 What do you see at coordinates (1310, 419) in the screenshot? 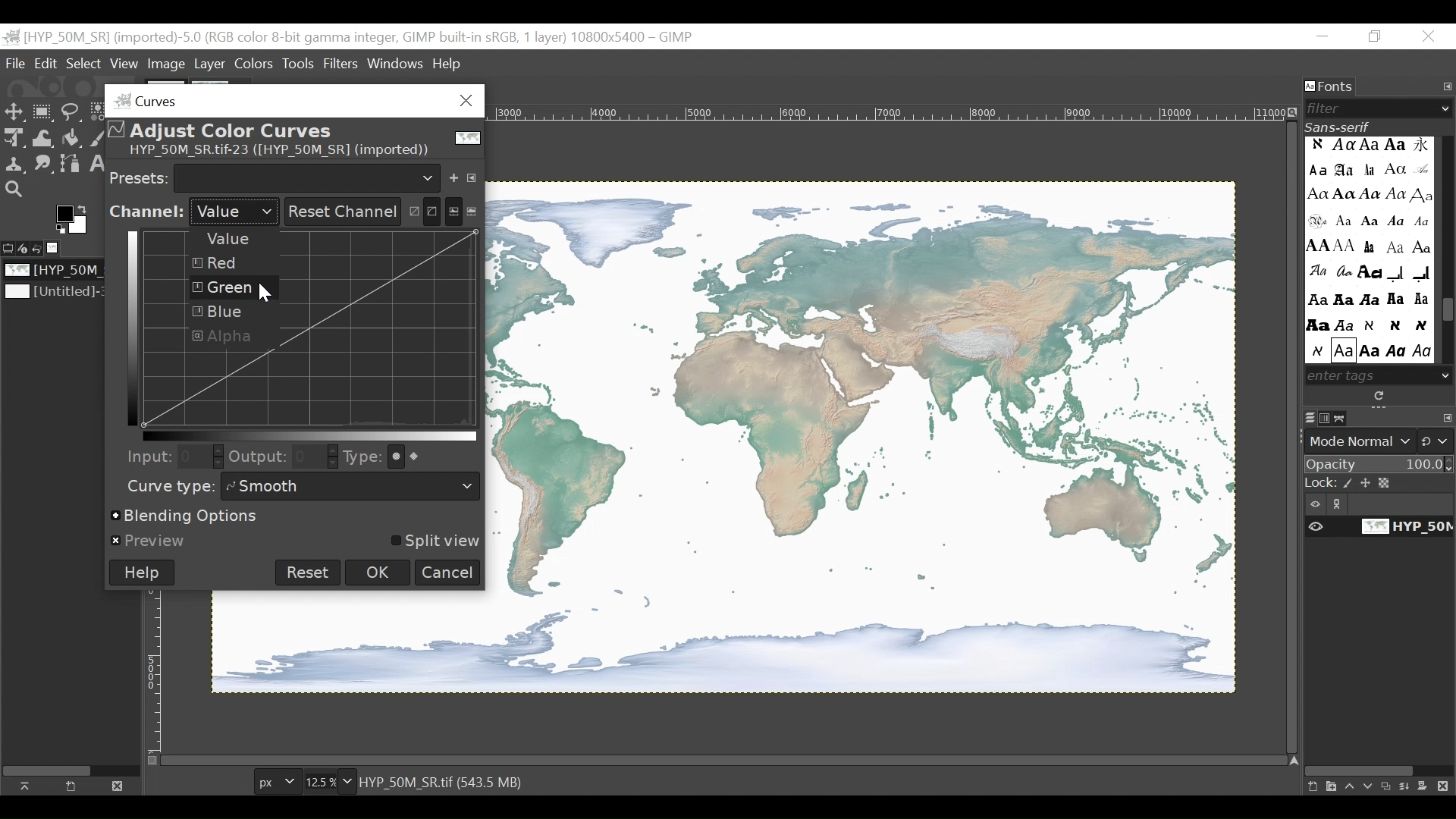
I see `Layers` at bounding box center [1310, 419].